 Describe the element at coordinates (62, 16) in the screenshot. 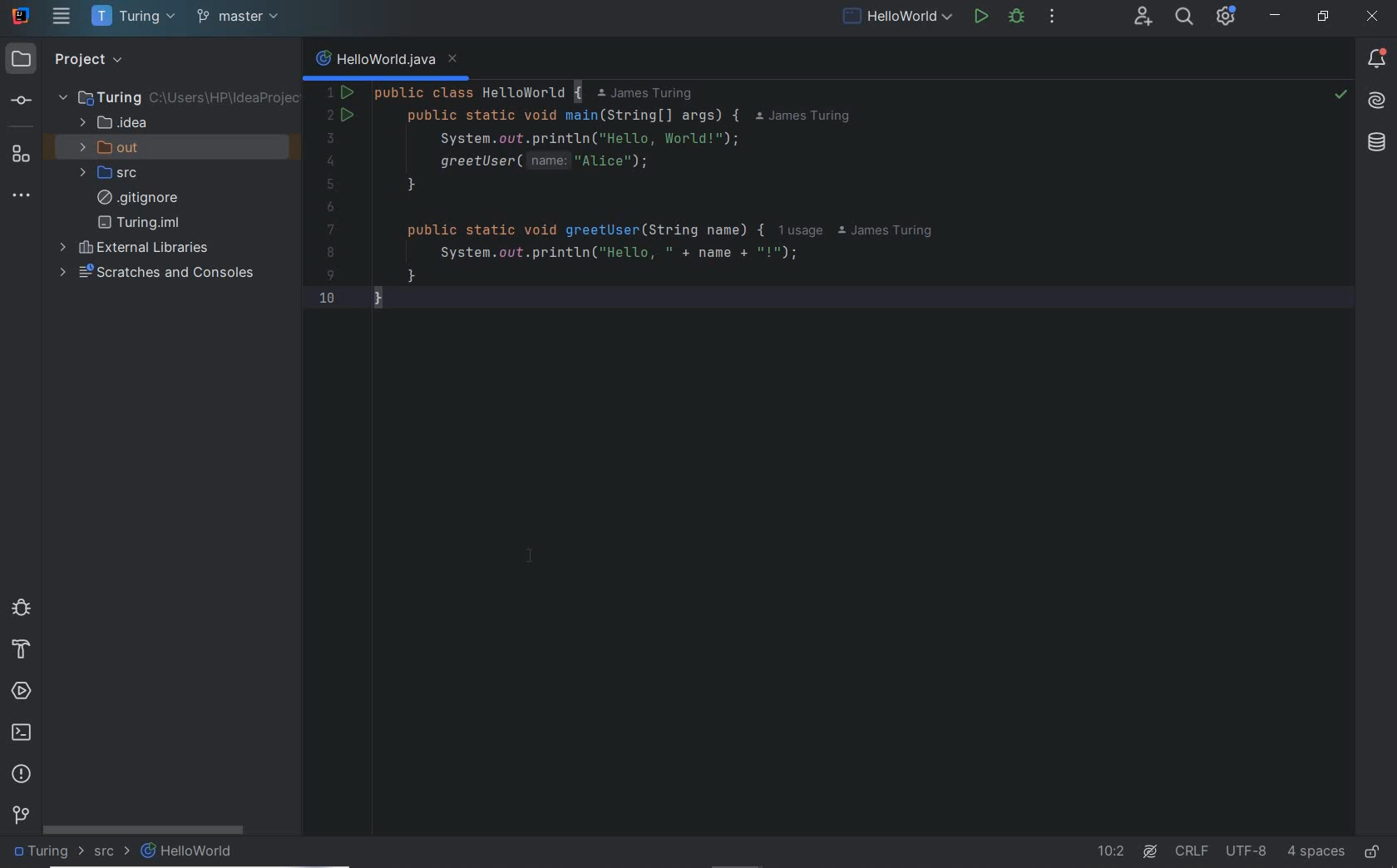

I see `main menu` at that location.